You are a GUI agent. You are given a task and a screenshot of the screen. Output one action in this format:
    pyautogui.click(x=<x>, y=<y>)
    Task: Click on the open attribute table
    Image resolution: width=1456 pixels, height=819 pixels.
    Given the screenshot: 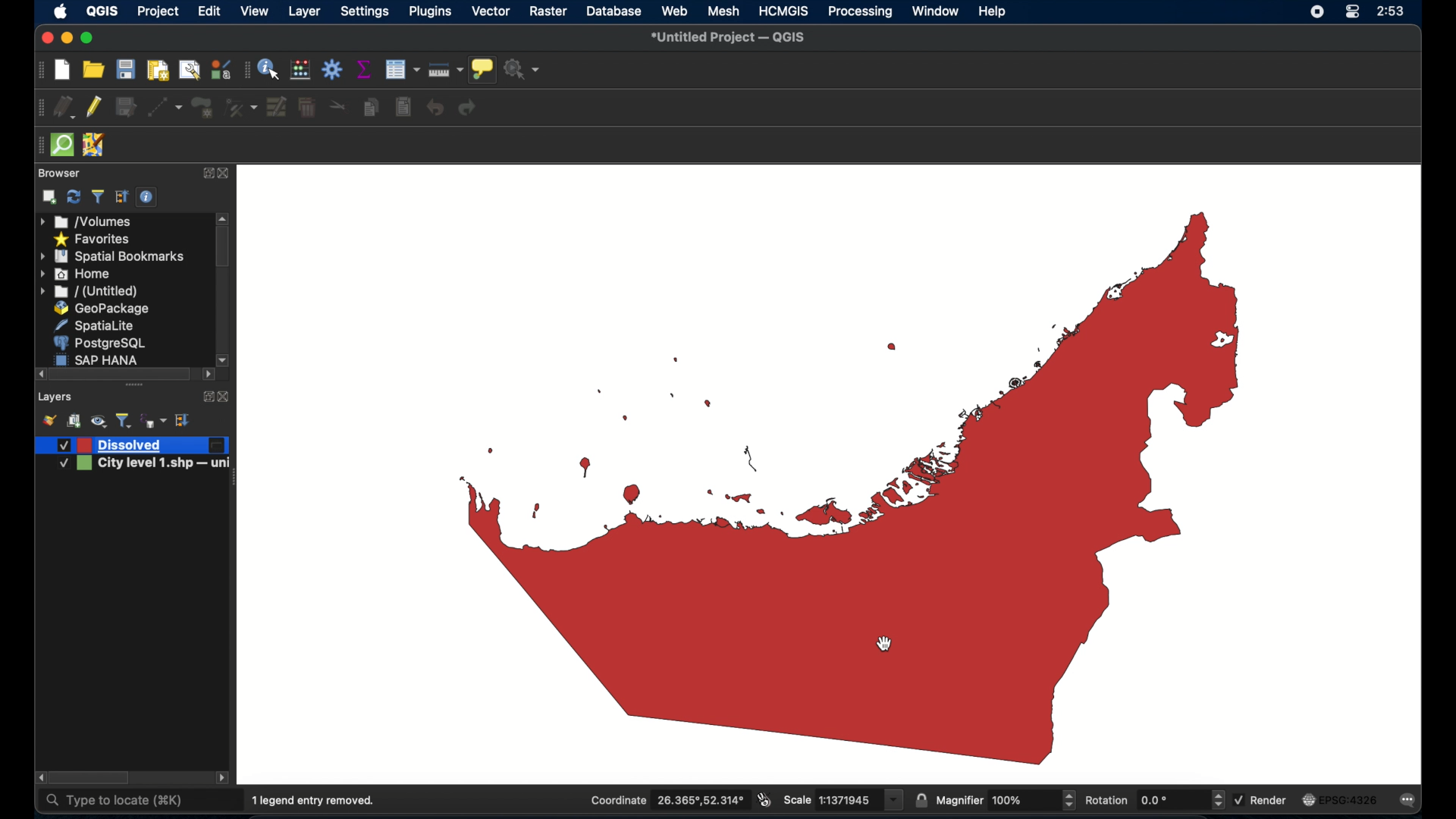 What is the action you would take?
    pyautogui.click(x=402, y=69)
    